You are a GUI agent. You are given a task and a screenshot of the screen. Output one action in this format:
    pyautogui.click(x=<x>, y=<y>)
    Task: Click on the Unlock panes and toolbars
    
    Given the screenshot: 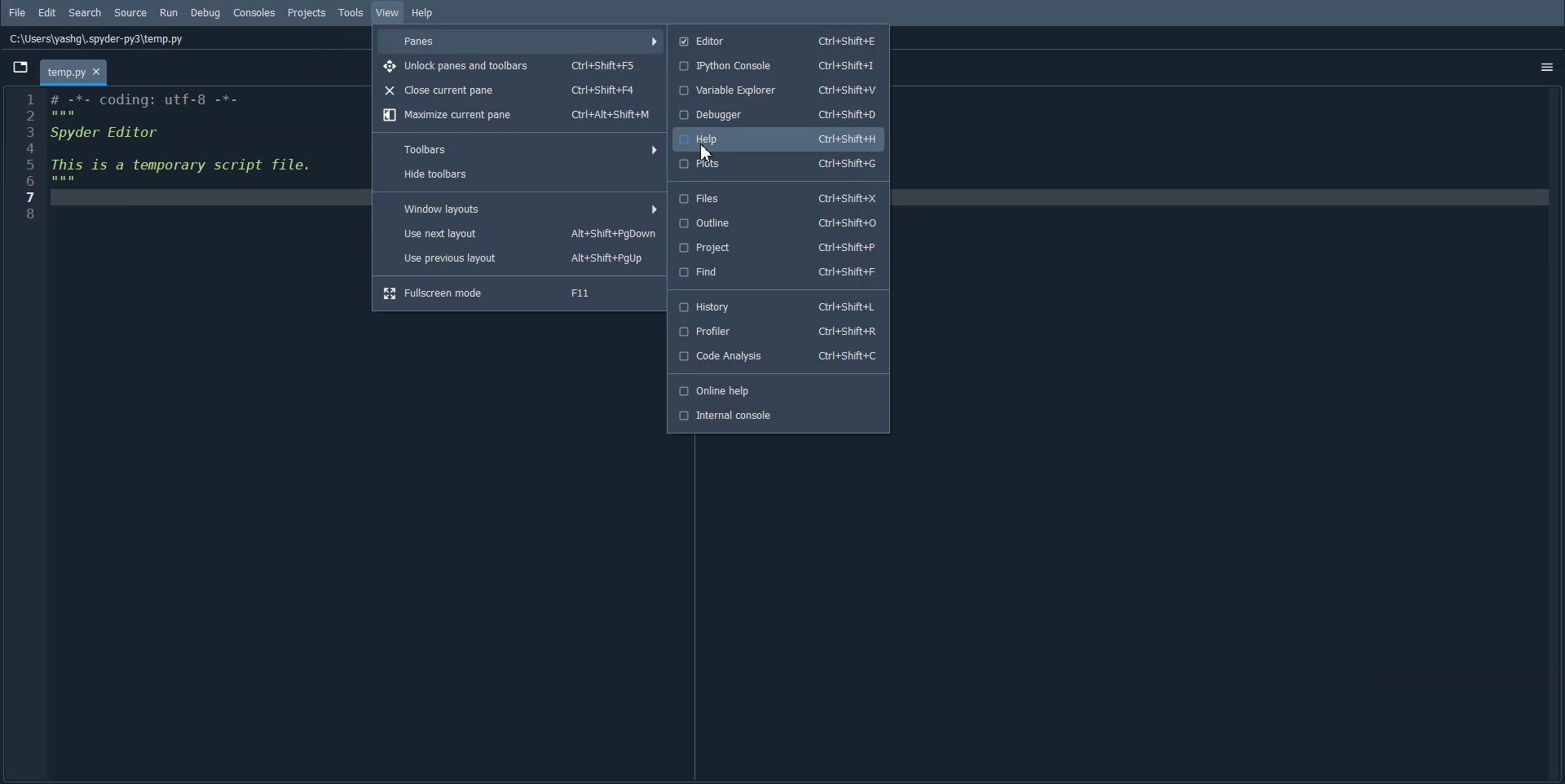 What is the action you would take?
    pyautogui.click(x=519, y=66)
    